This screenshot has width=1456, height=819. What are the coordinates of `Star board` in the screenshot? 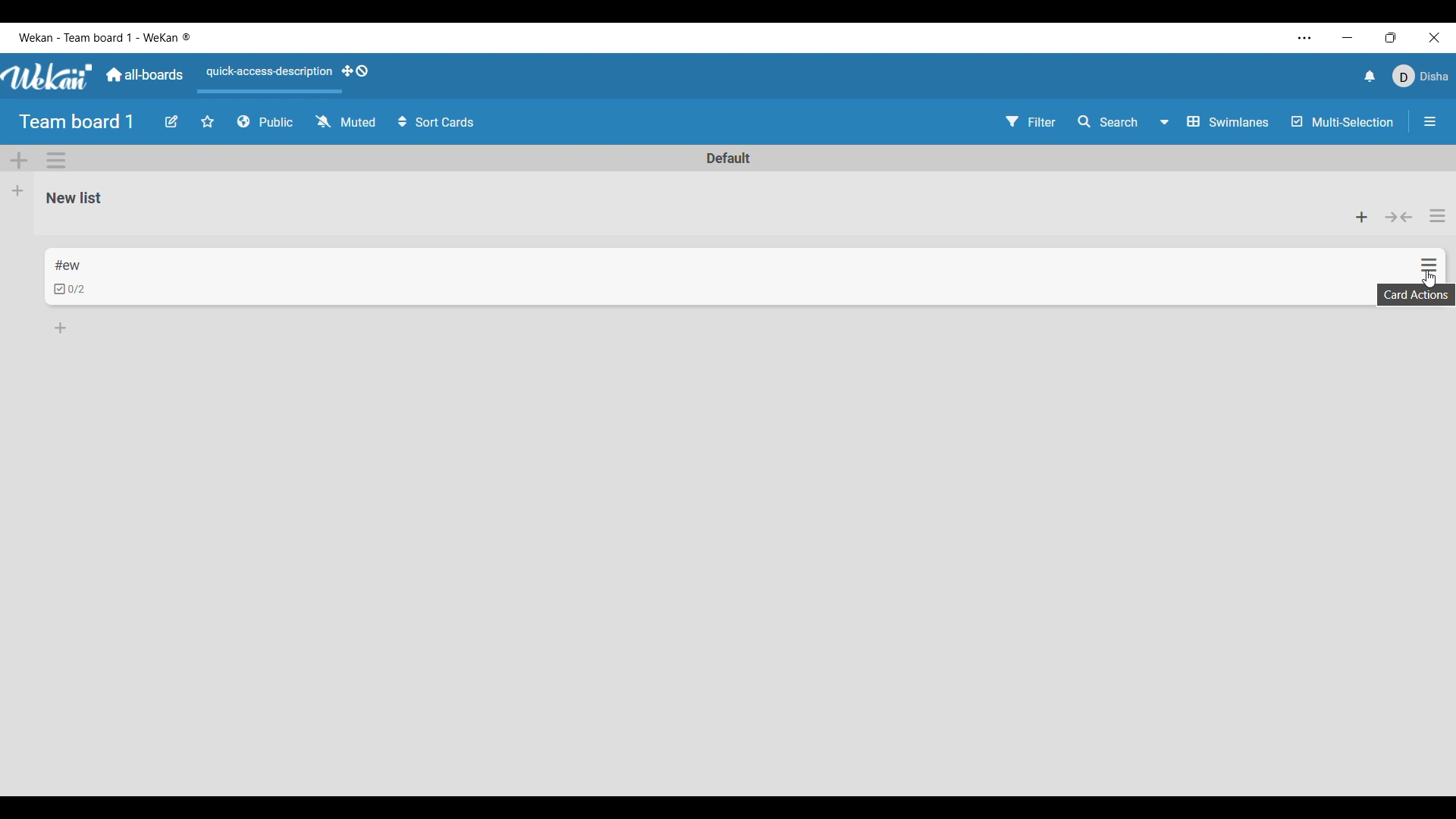 It's located at (208, 121).